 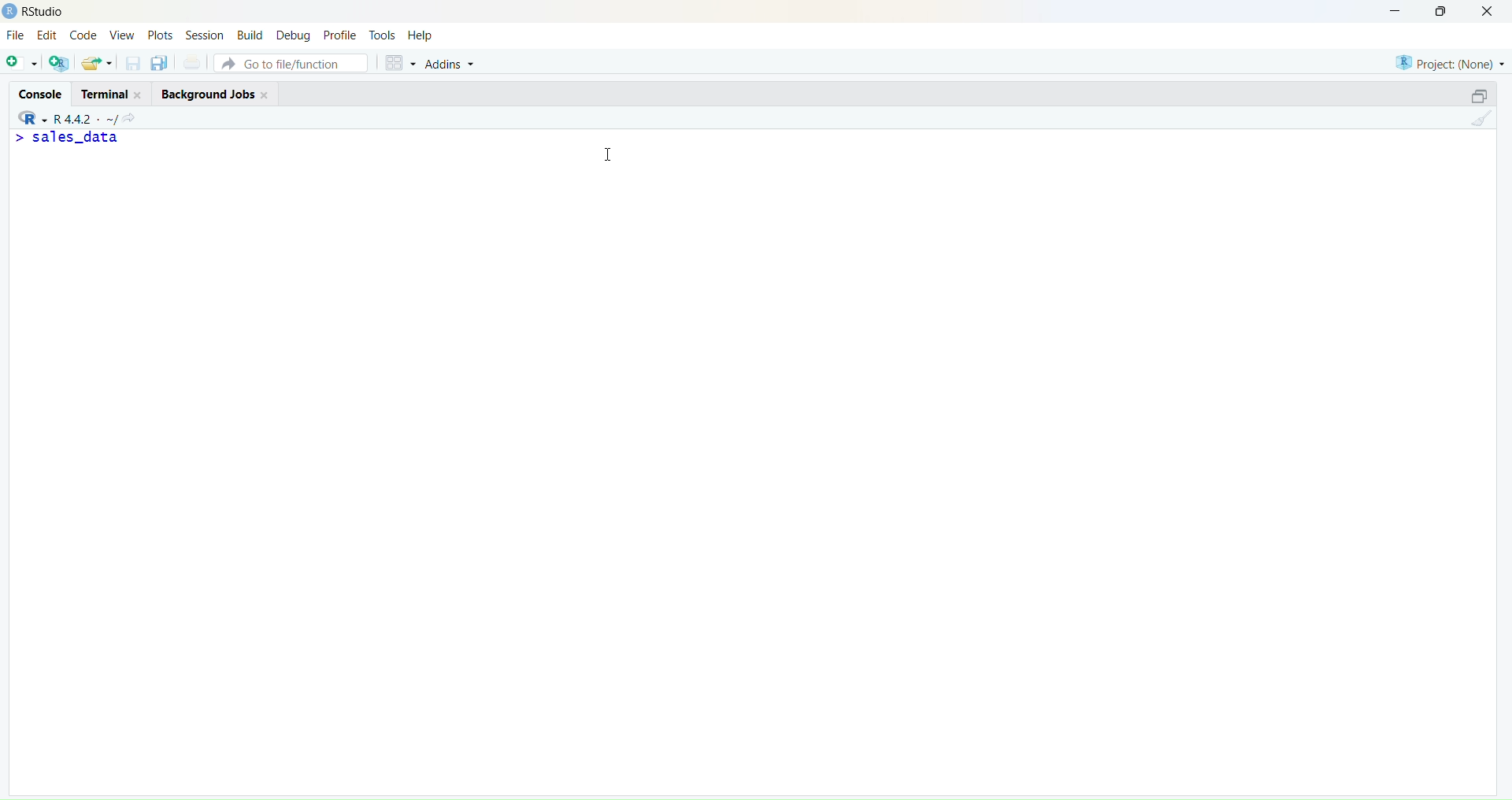 I want to click on maximise, so click(x=1471, y=94).